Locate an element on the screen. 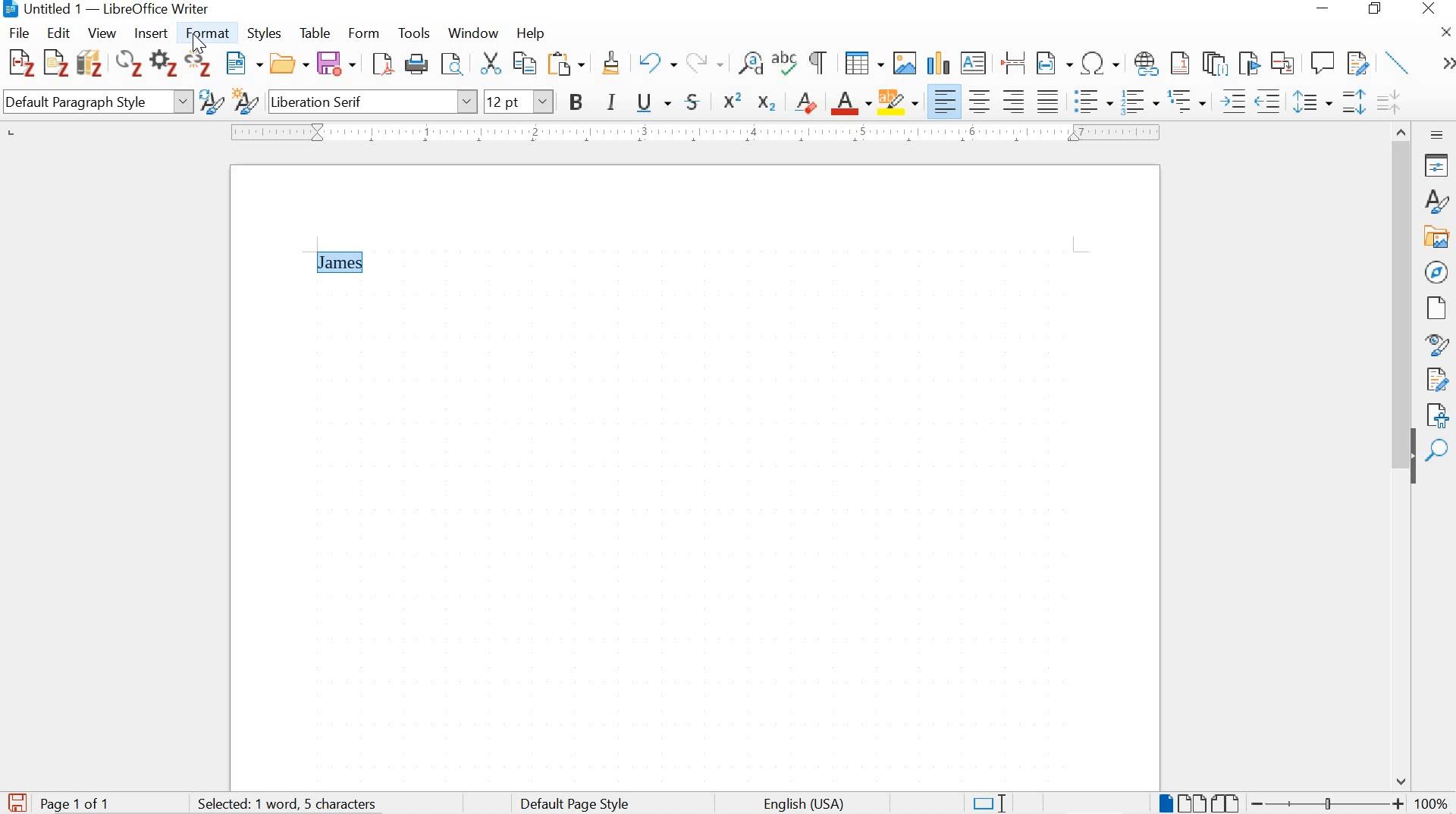 This screenshot has width=1456, height=814. italic is located at coordinates (613, 104).